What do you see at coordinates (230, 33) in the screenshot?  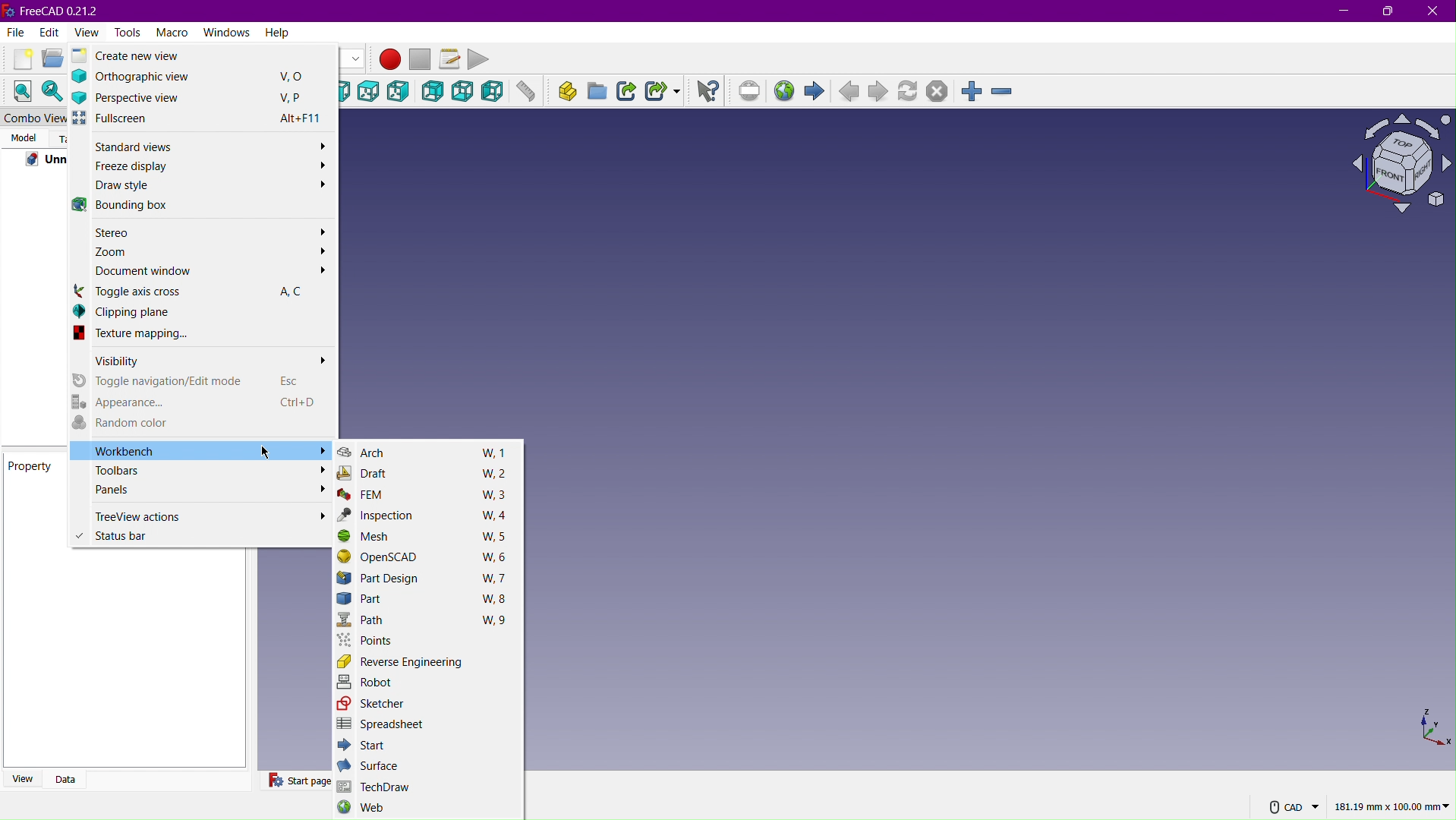 I see `Windows` at bounding box center [230, 33].